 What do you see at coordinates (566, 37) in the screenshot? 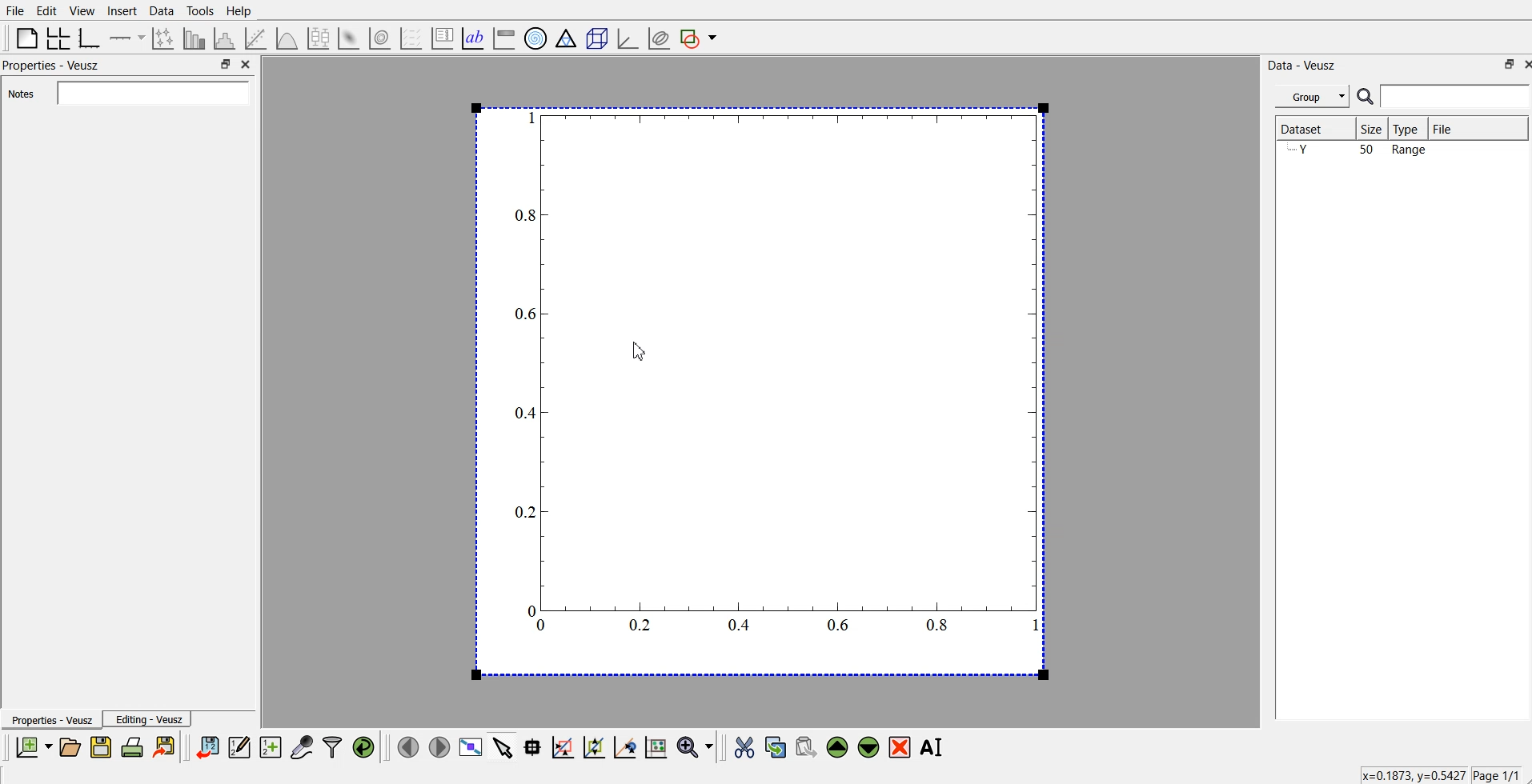
I see `ternary graph` at bounding box center [566, 37].